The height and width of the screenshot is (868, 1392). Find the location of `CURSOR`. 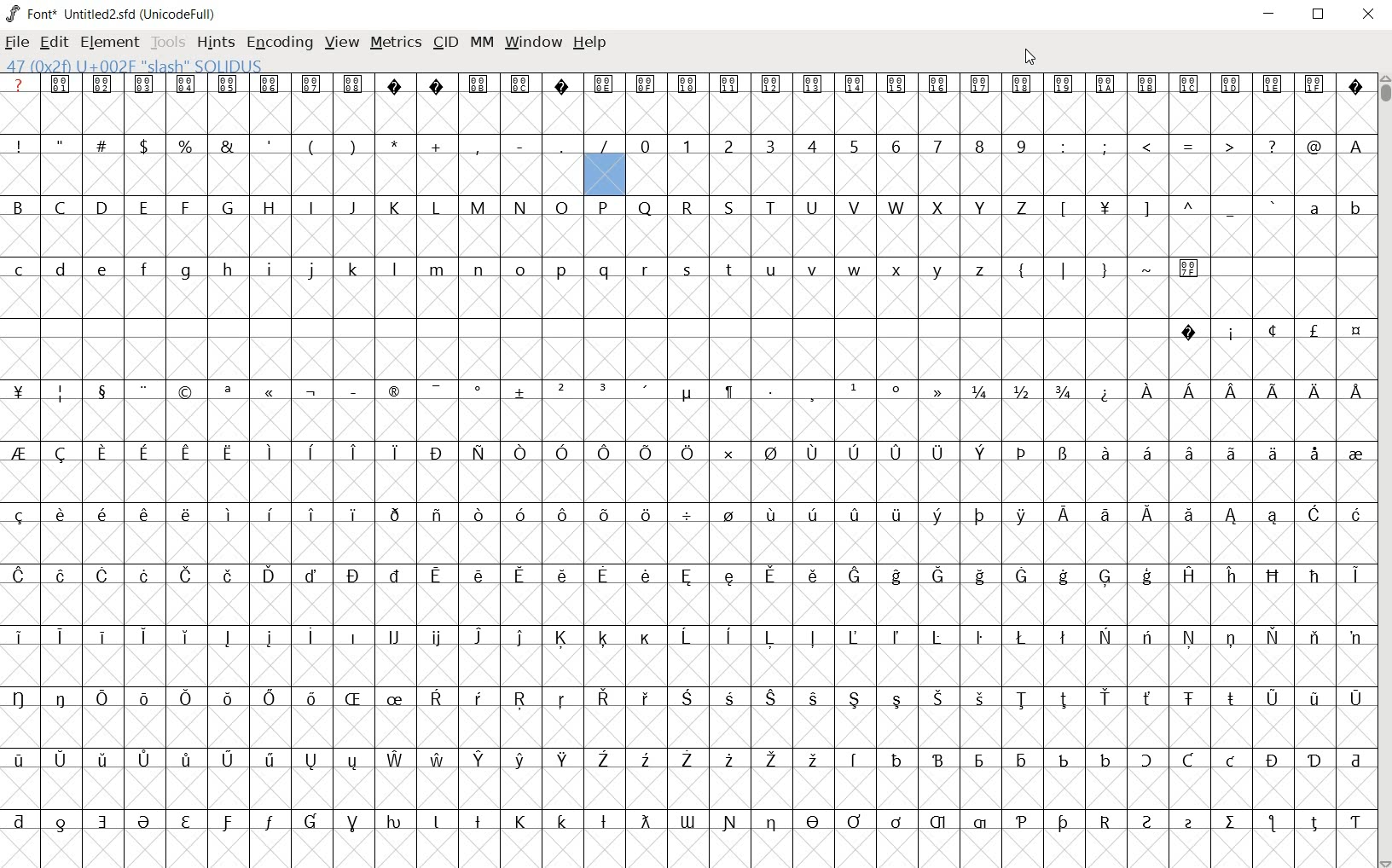

CURSOR is located at coordinates (1383, 472).